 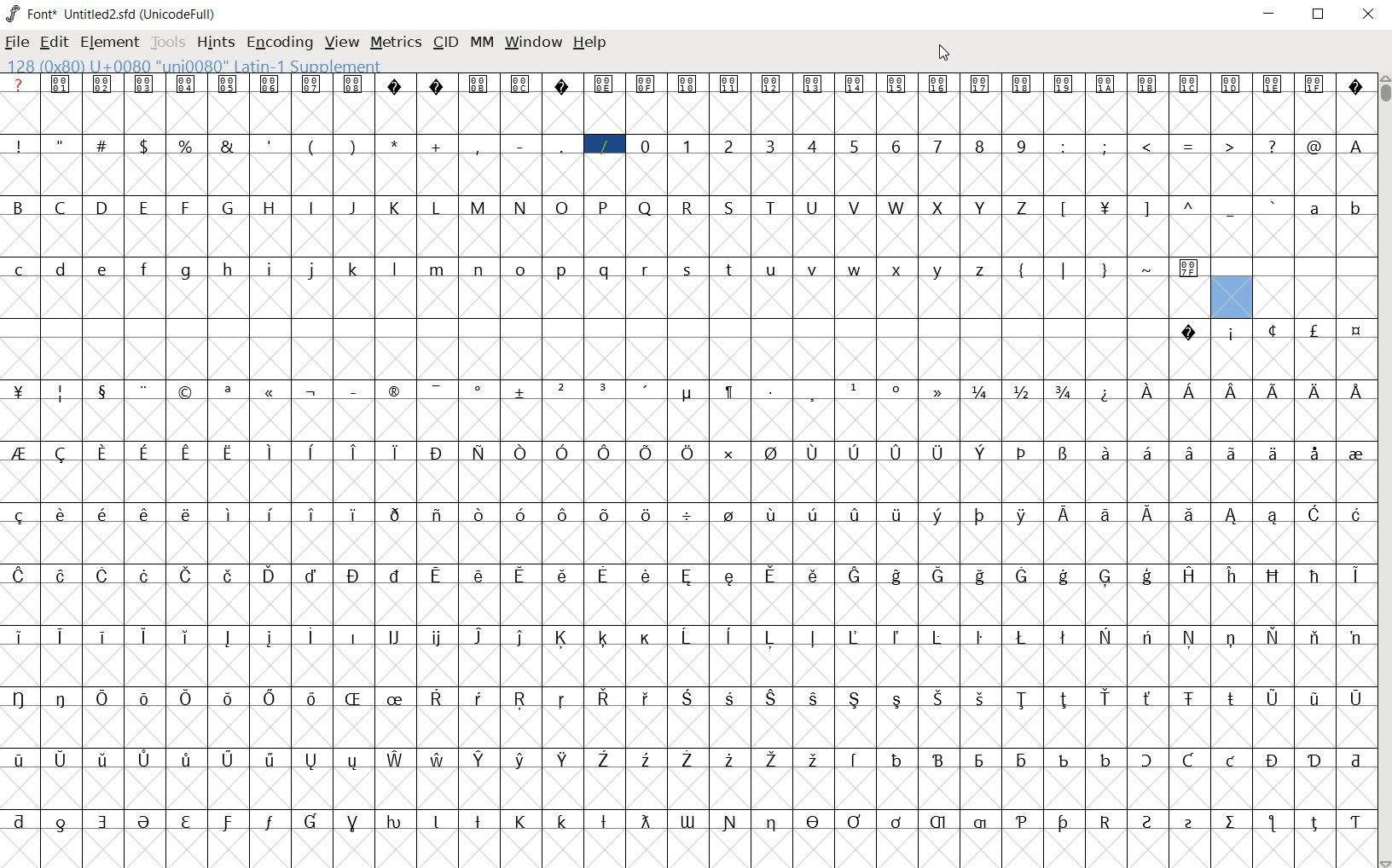 What do you see at coordinates (1190, 205) in the screenshot?
I see `glyph` at bounding box center [1190, 205].